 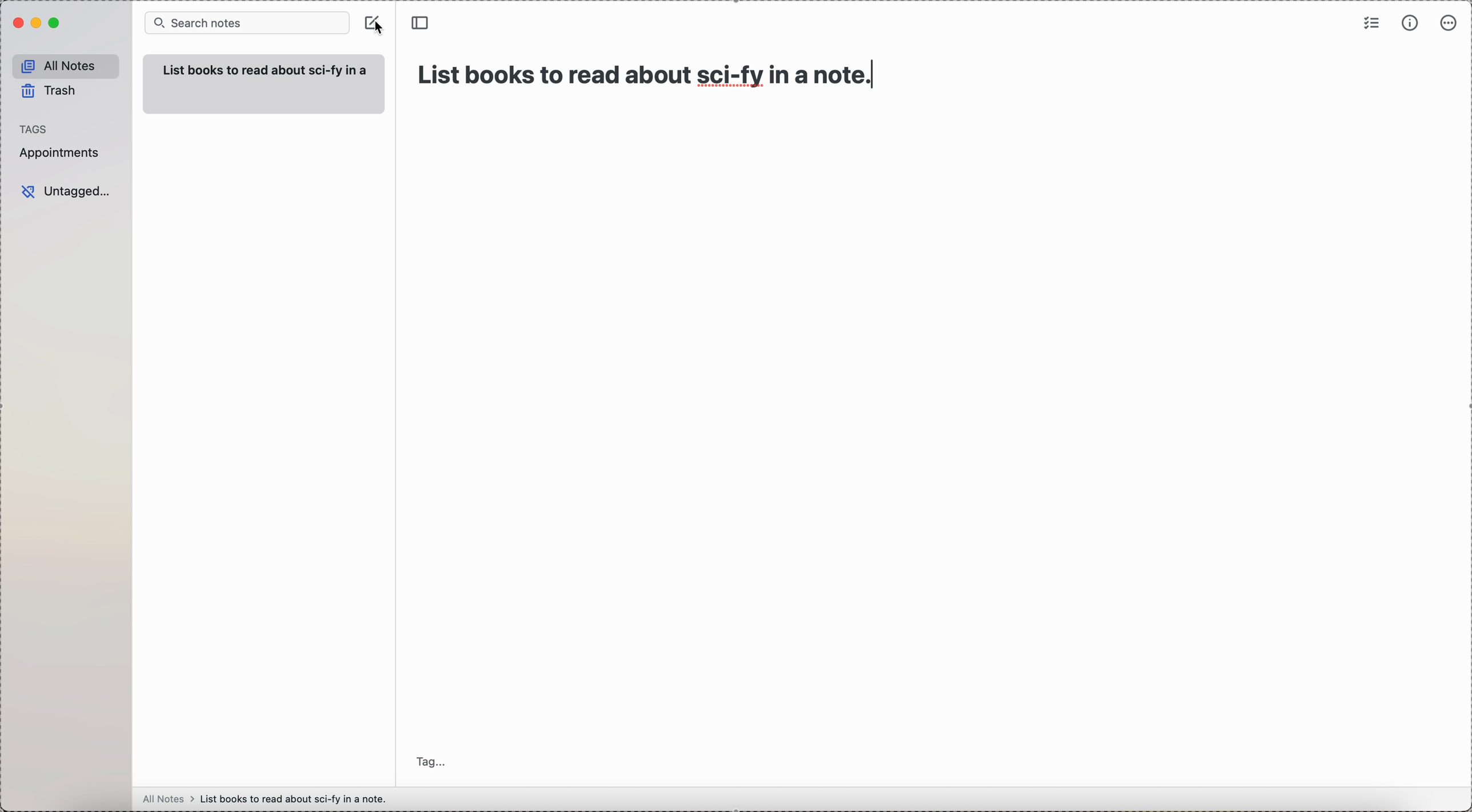 I want to click on untagged, so click(x=66, y=191).